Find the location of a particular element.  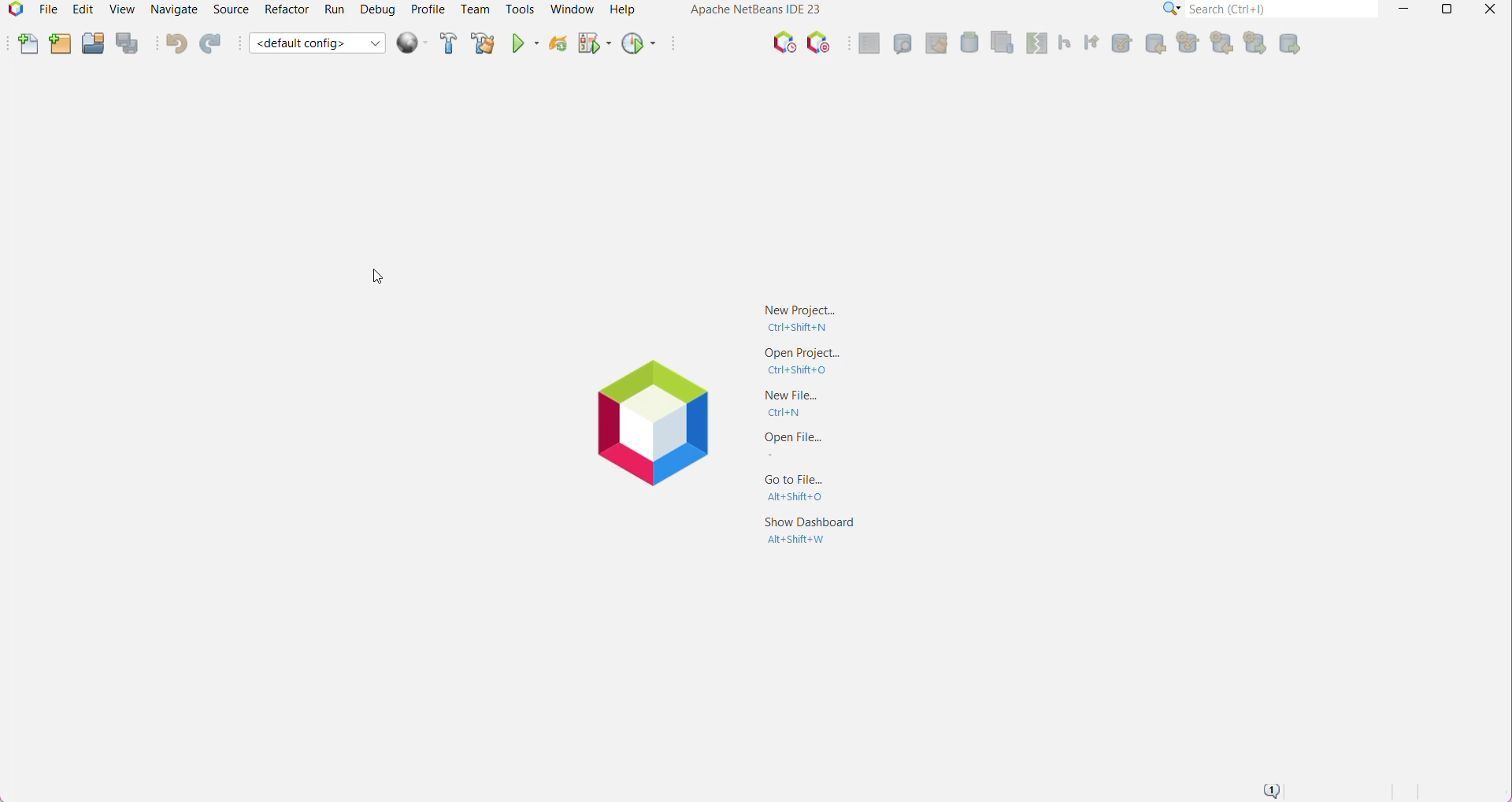

Help is located at coordinates (624, 9).